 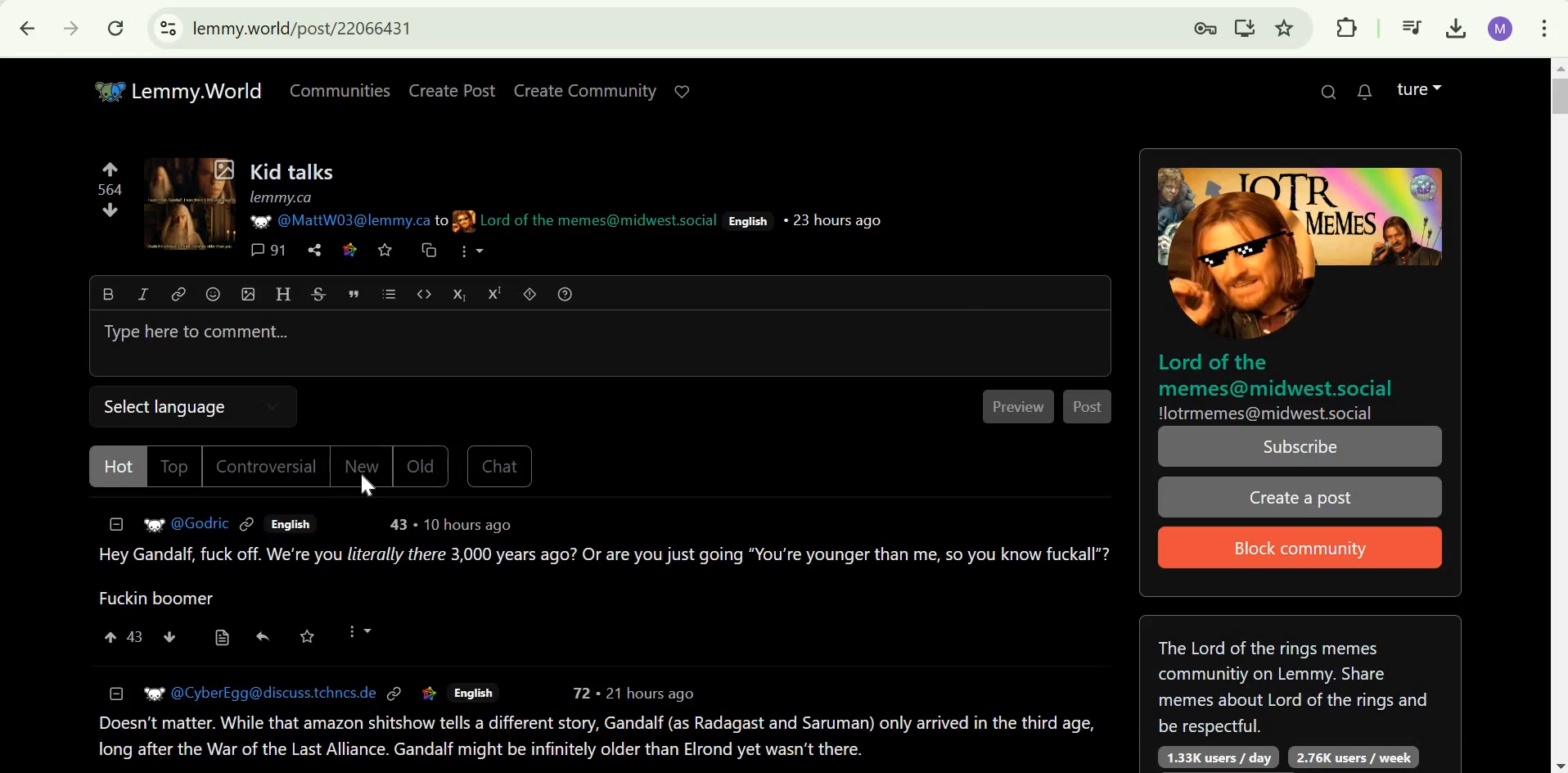 I want to click on subscript, so click(x=456, y=293).